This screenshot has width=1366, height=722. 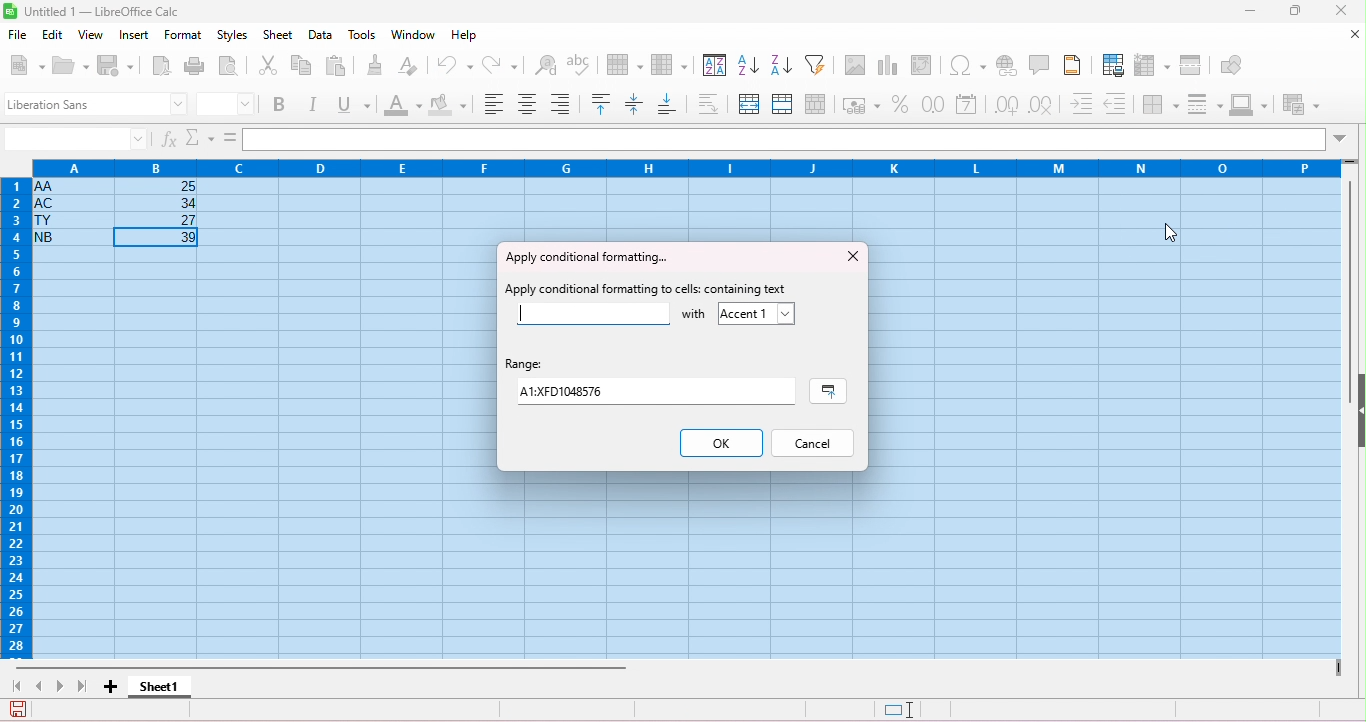 I want to click on font style, so click(x=94, y=103).